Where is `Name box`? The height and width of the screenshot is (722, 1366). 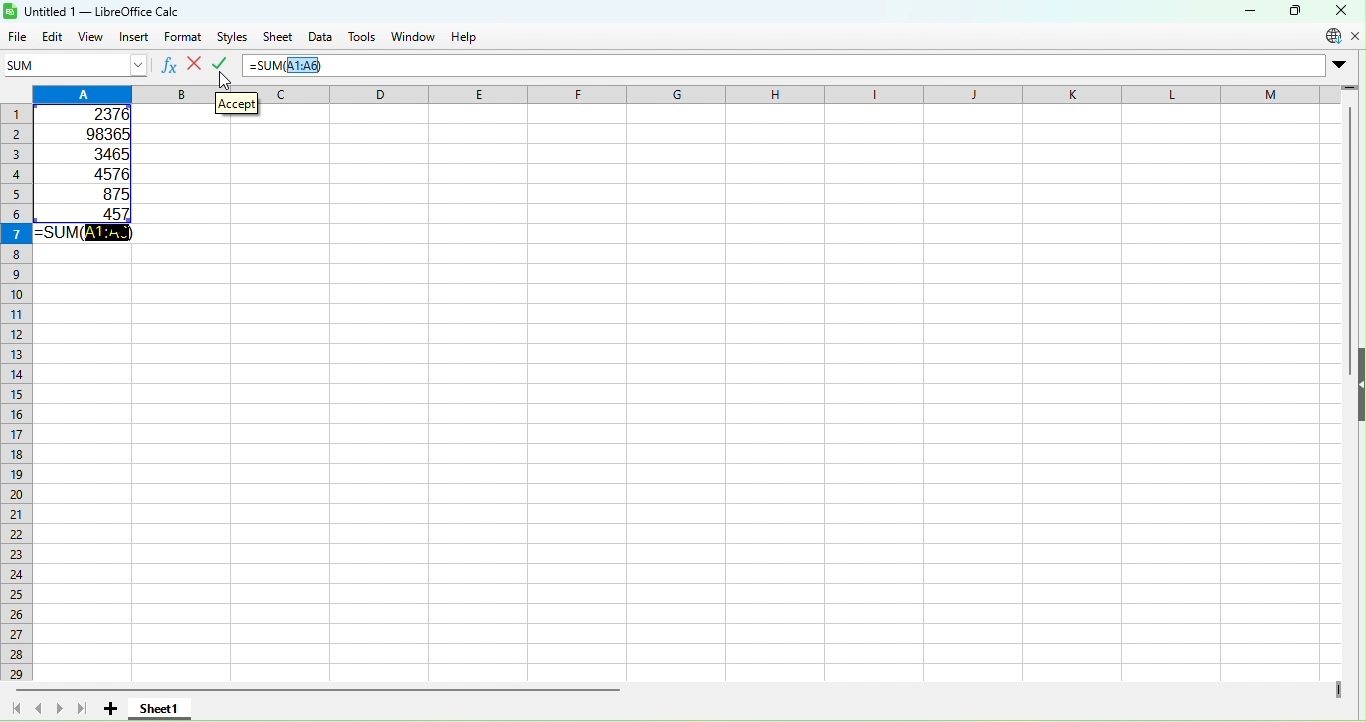
Name box is located at coordinates (123, 63).